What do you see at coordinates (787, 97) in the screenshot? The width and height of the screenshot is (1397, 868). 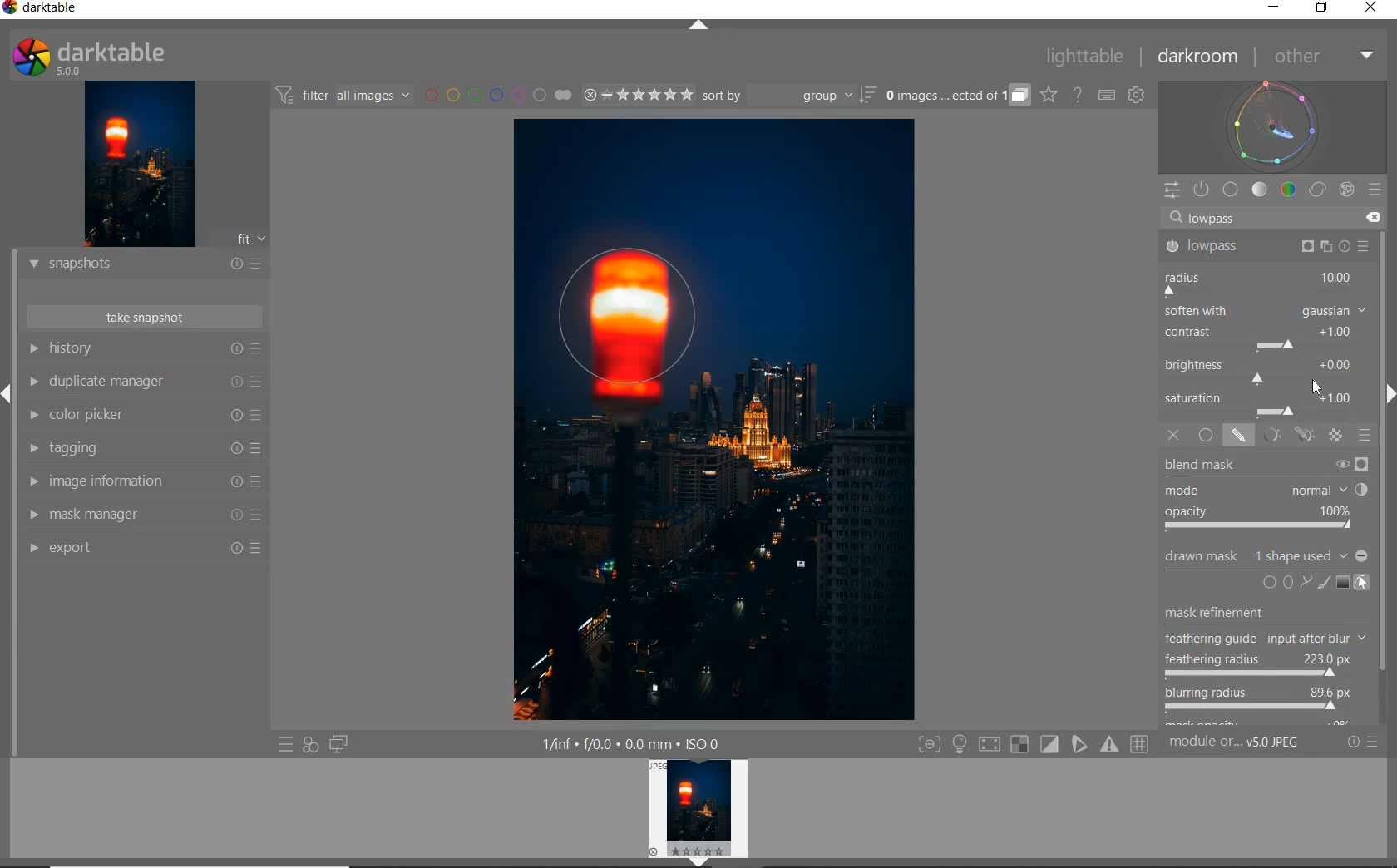 I see `SORT` at bounding box center [787, 97].